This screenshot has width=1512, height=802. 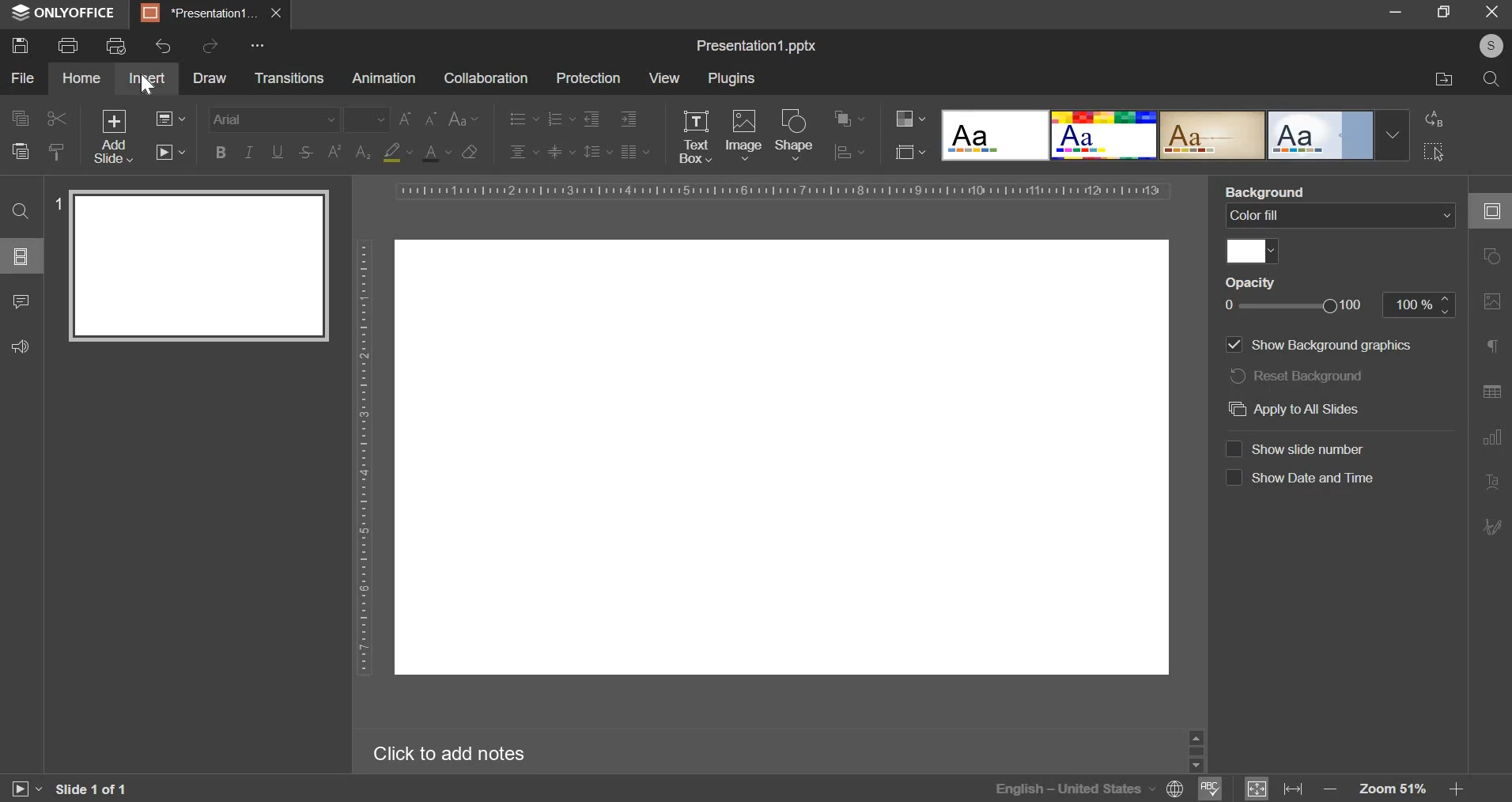 I want to click on decrease font size, so click(x=431, y=119).